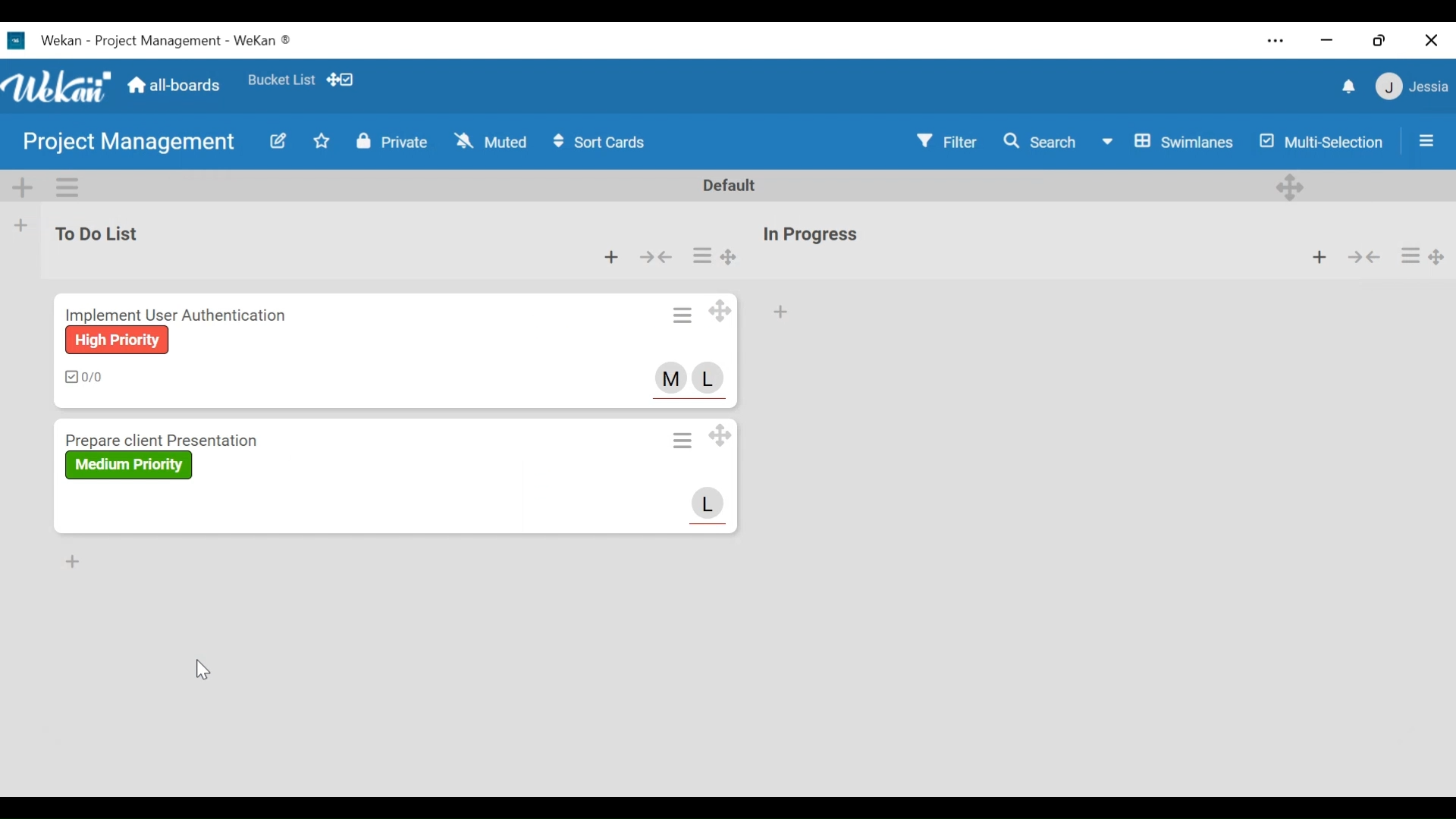  Describe the element at coordinates (1038, 143) in the screenshot. I see `Search` at that location.